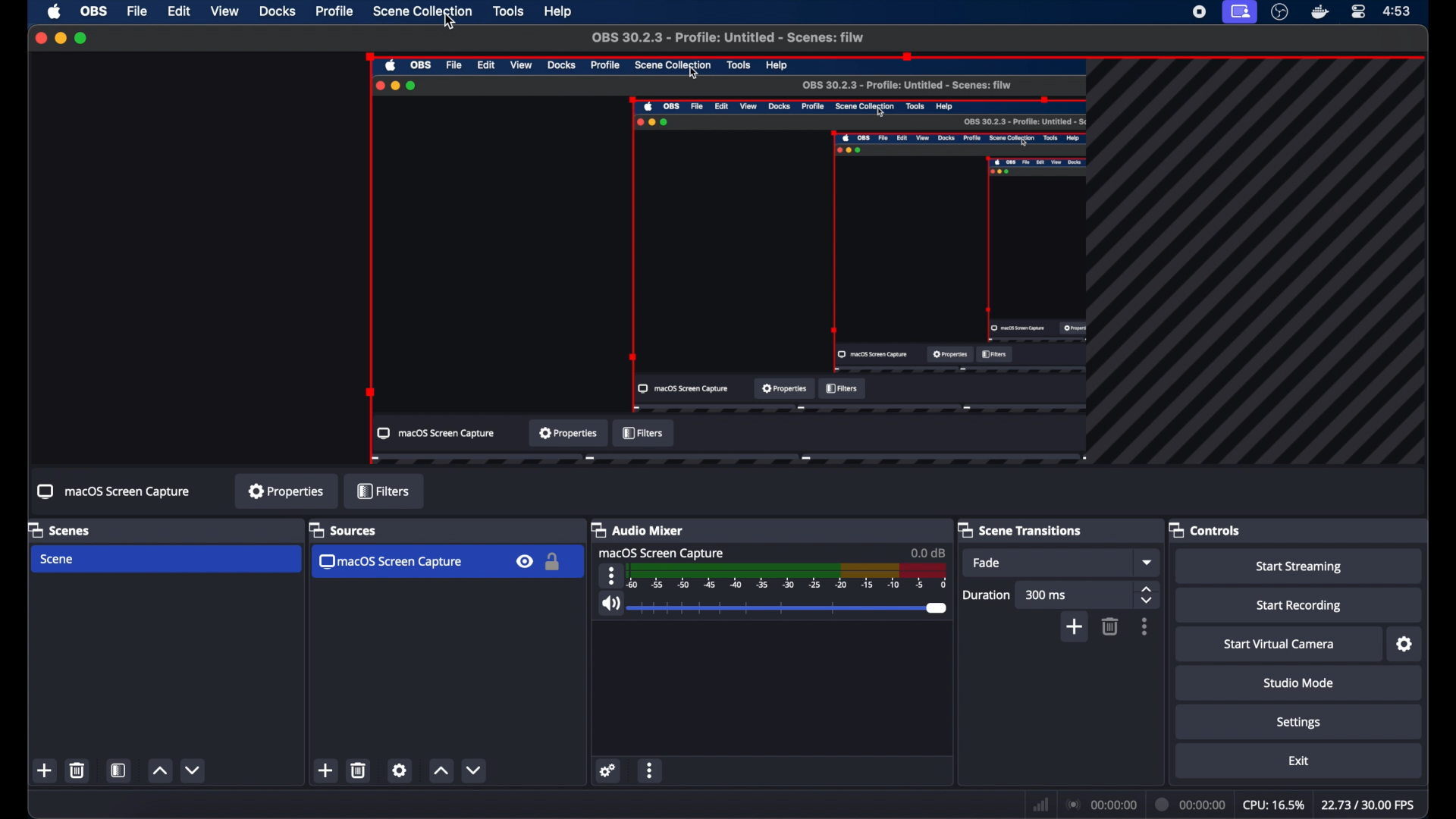  Describe the element at coordinates (1299, 764) in the screenshot. I see `exit` at that location.